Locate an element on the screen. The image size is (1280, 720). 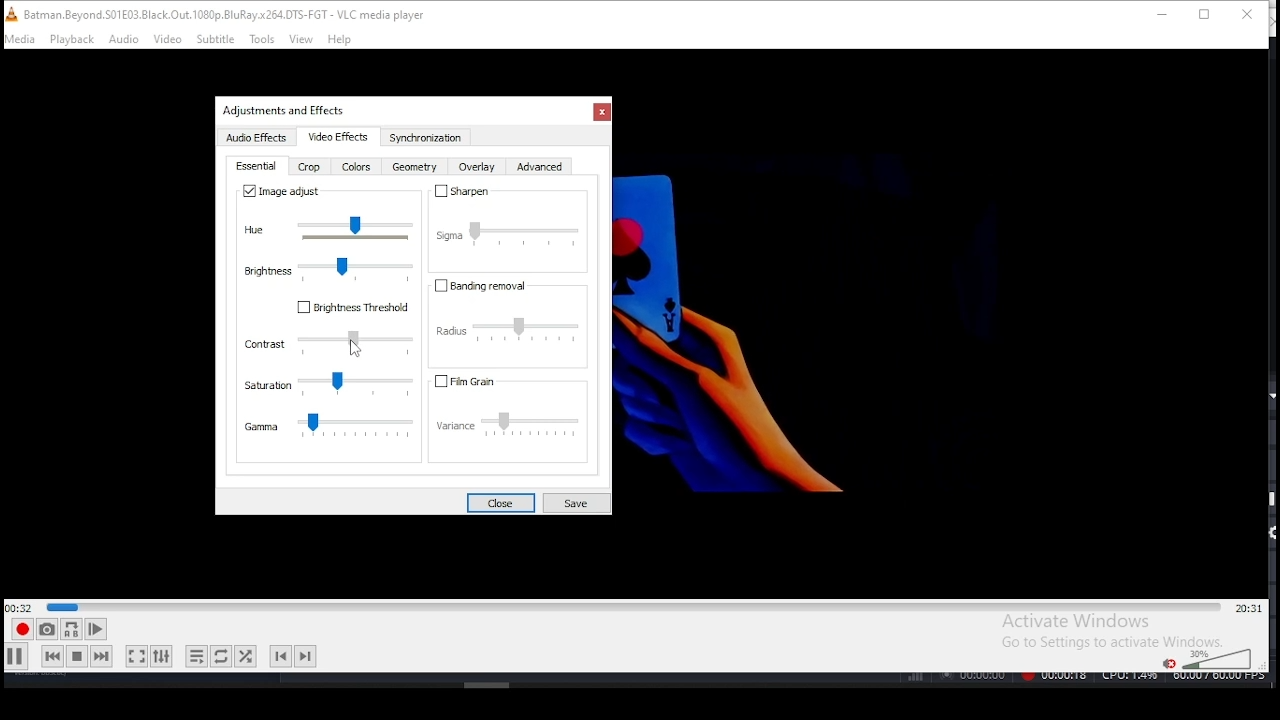
close is located at coordinates (499, 501).